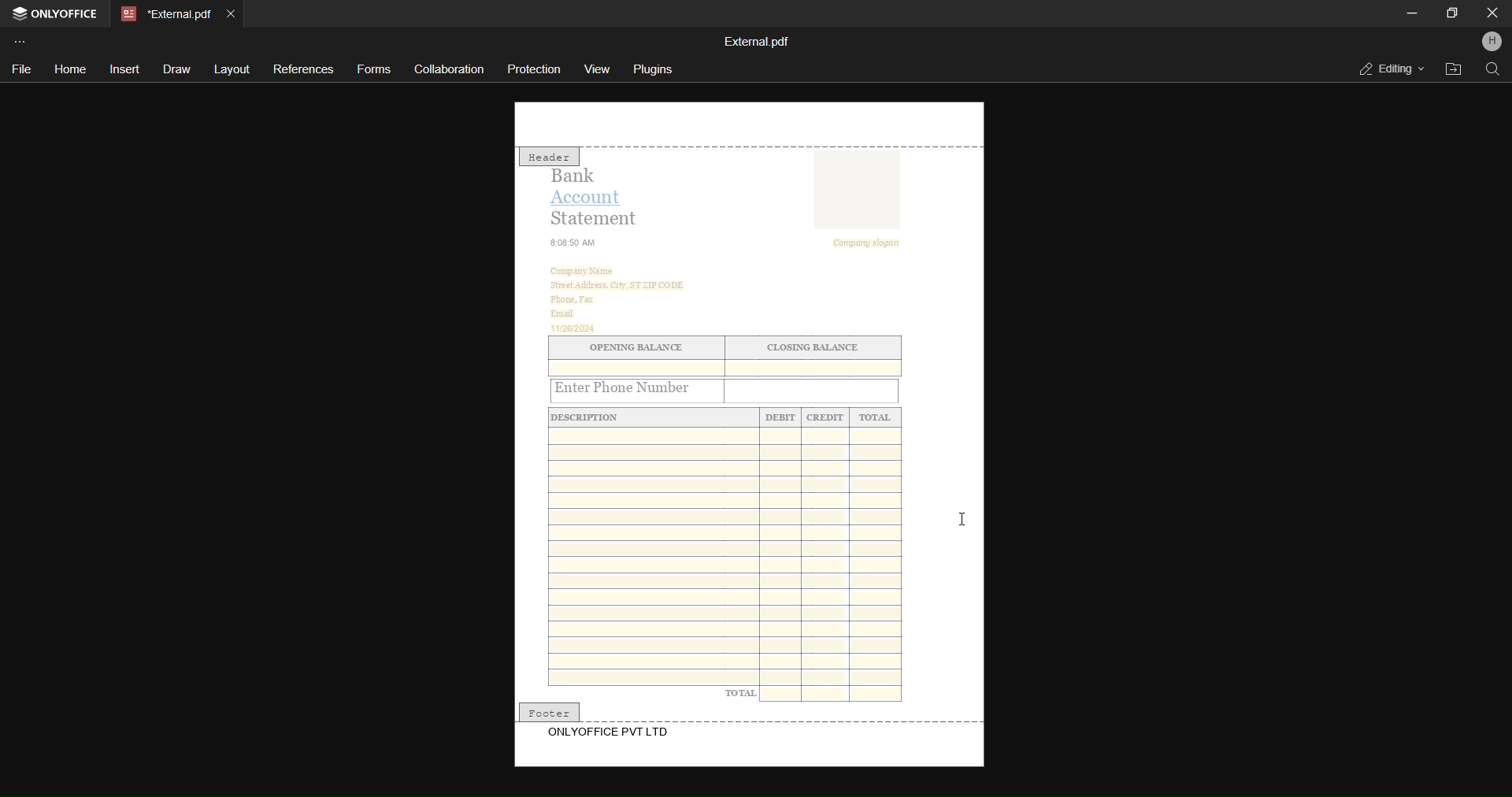 This screenshot has height=797, width=1512. Describe the element at coordinates (549, 156) in the screenshot. I see `Header` at that location.